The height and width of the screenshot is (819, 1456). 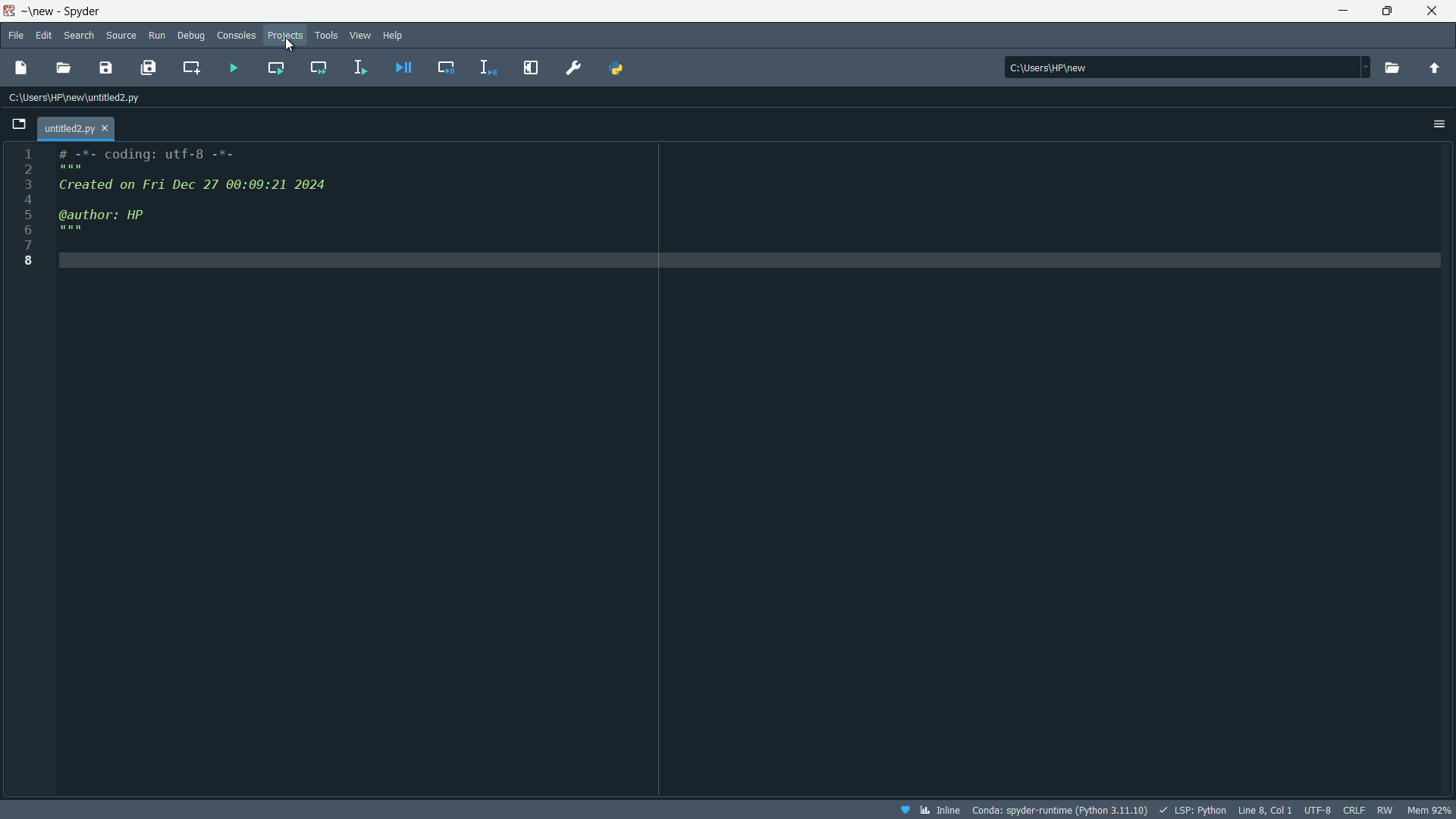 I want to click on browse tabs, so click(x=21, y=121).